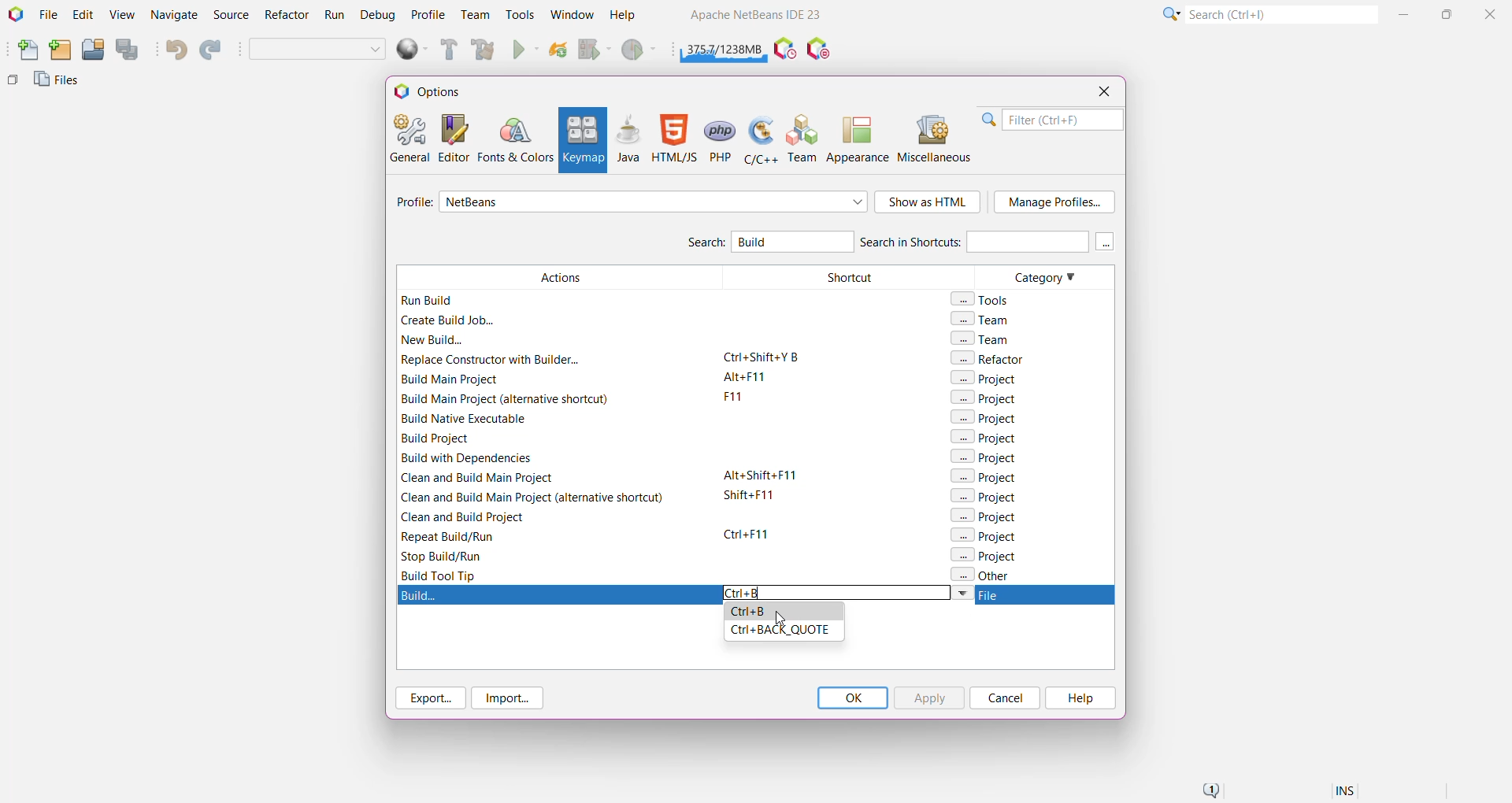 This screenshot has width=1512, height=803. Describe the element at coordinates (928, 698) in the screenshot. I see `Apply` at that location.